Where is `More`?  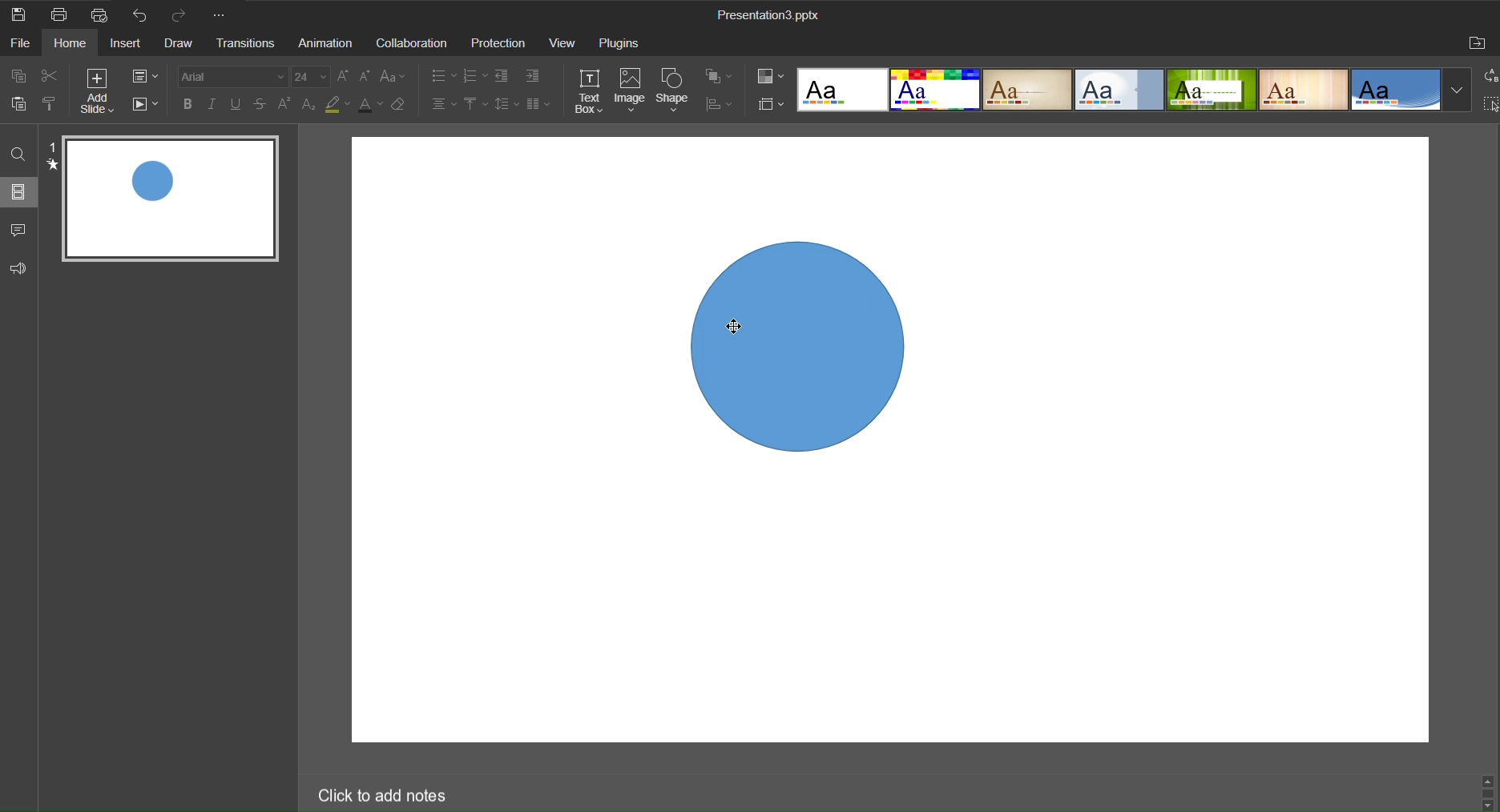
More is located at coordinates (222, 16).